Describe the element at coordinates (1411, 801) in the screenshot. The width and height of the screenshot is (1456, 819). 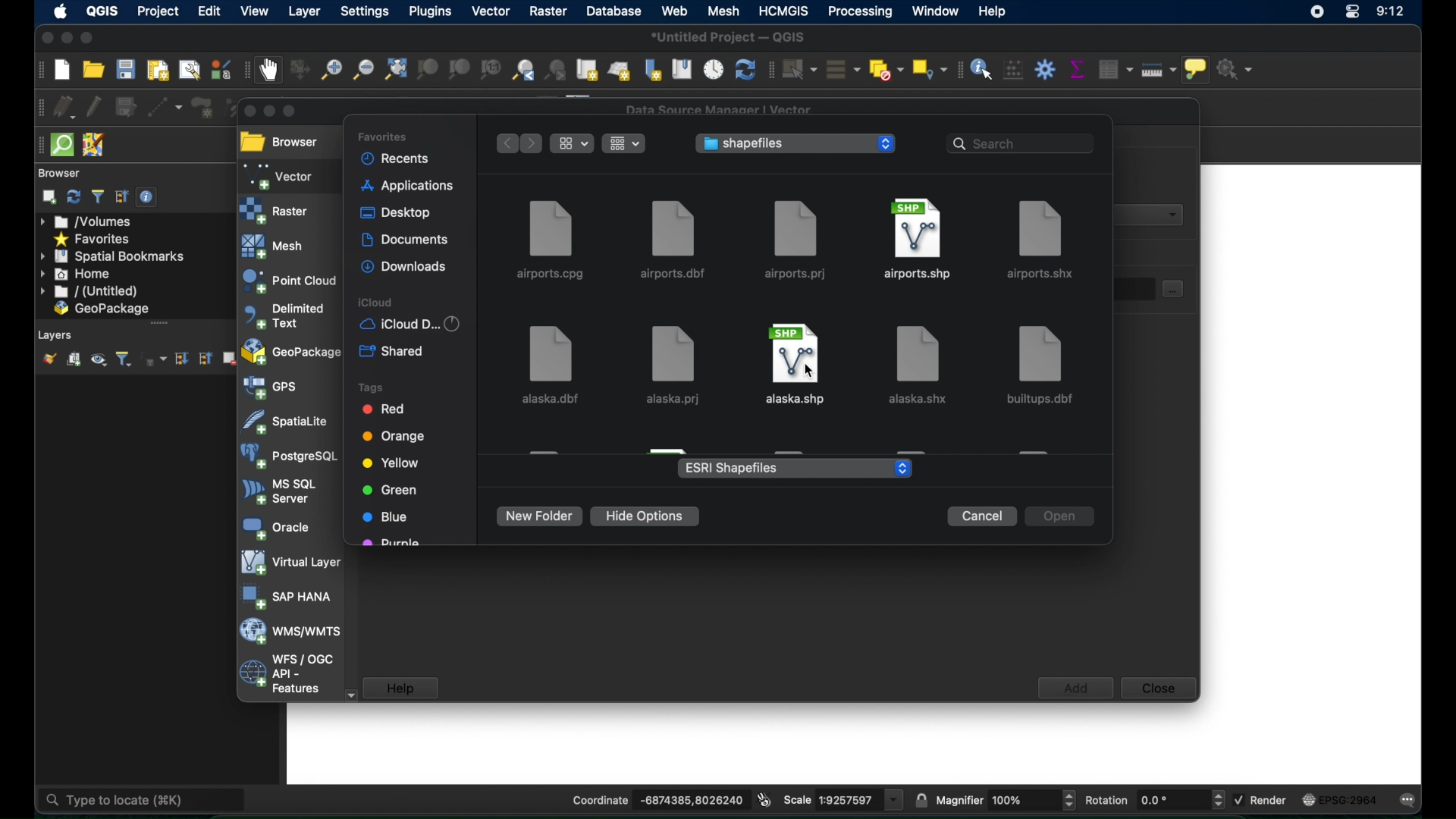
I see `messages` at that location.